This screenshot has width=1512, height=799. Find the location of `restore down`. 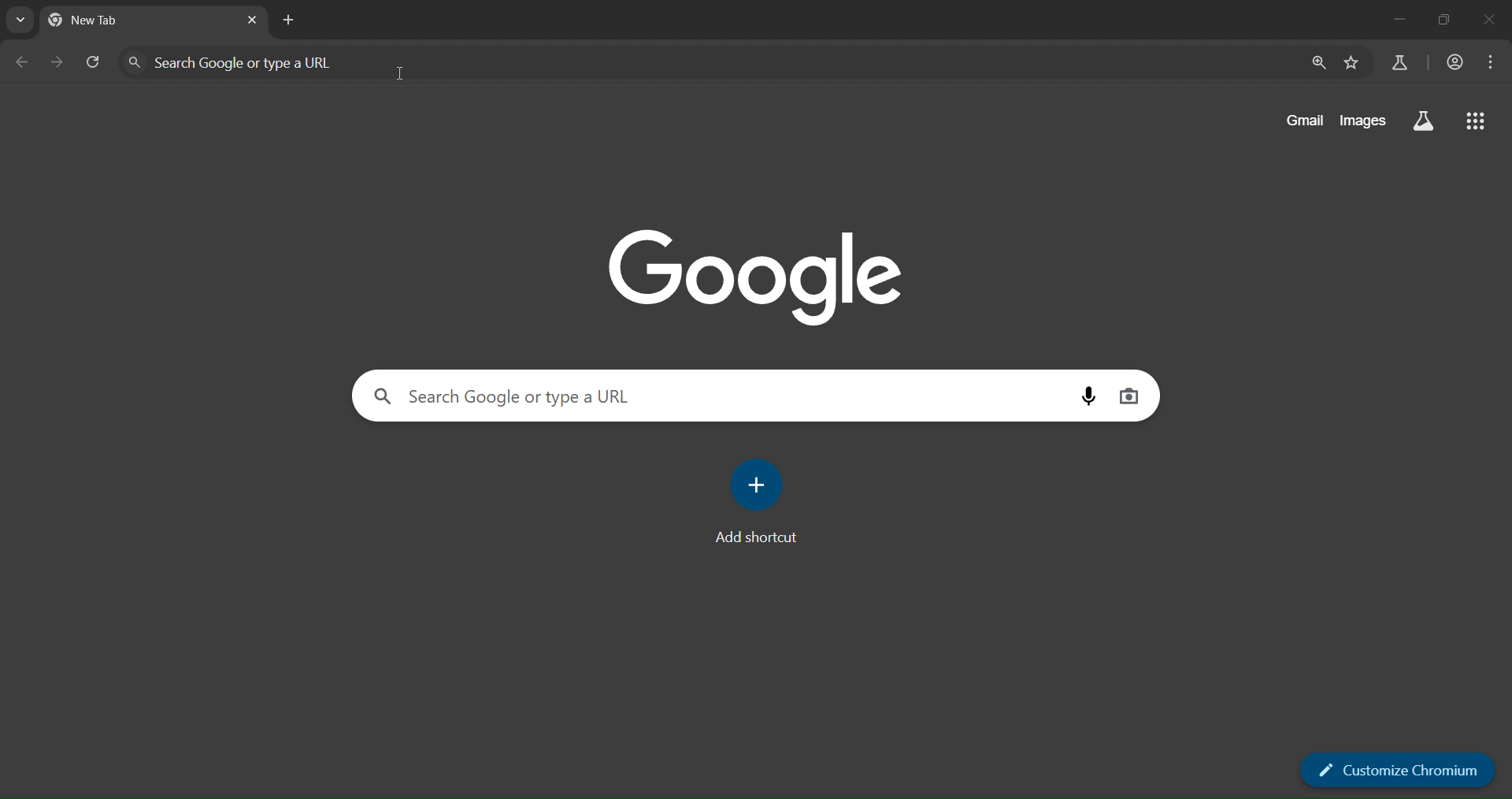

restore down is located at coordinates (1447, 19).